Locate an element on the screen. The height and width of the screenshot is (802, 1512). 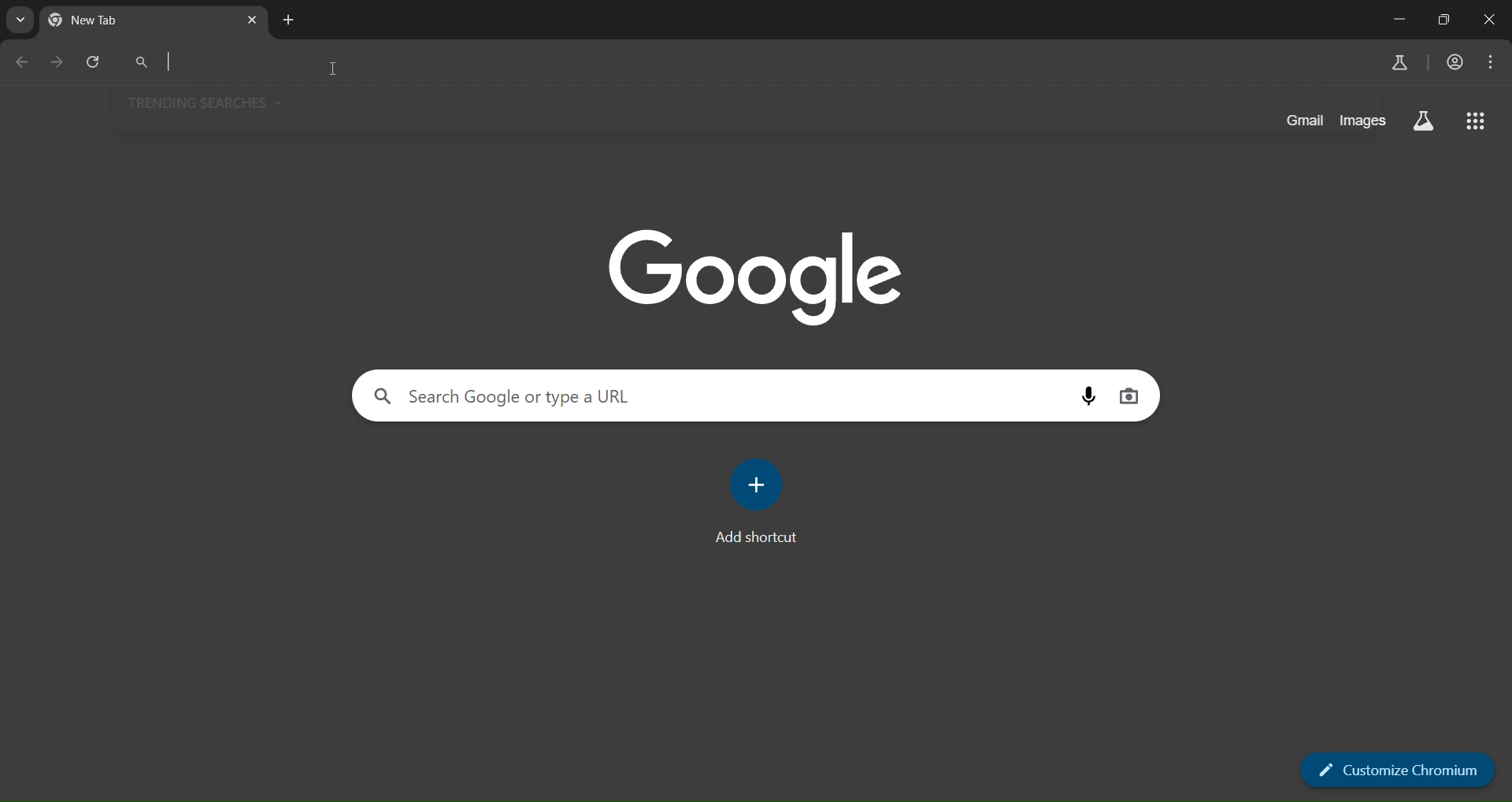
Search Google or type a URL is located at coordinates (506, 396).